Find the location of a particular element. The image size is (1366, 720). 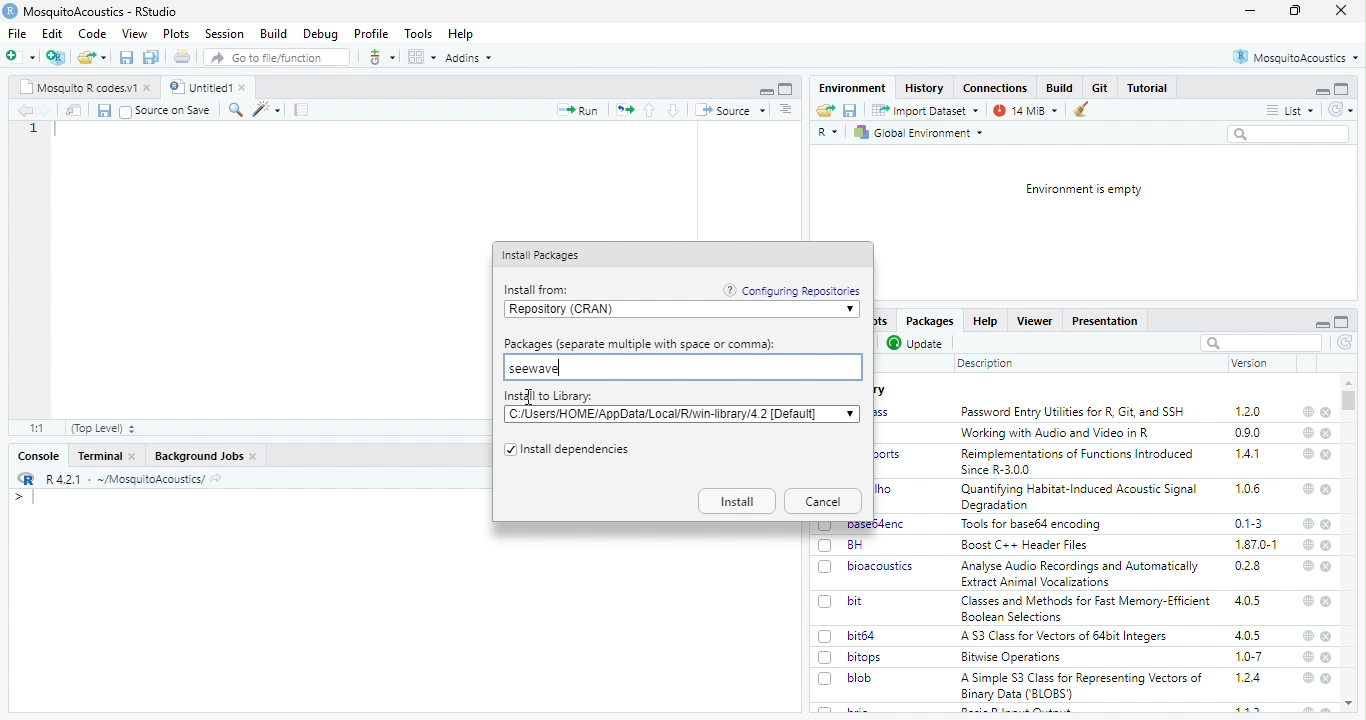

Terminal is located at coordinates (100, 456).